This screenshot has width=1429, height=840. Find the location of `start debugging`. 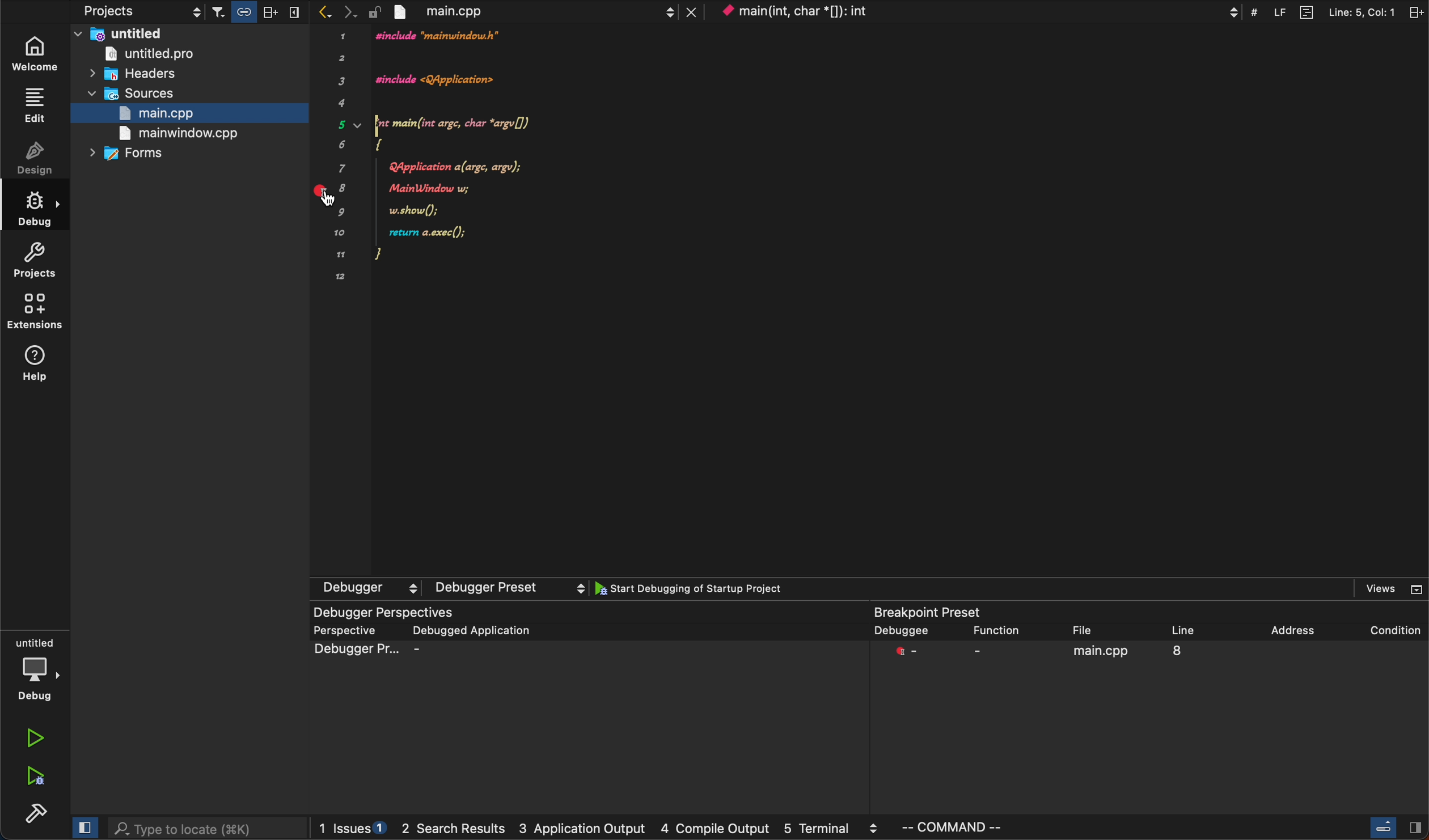

start debugging is located at coordinates (707, 591).